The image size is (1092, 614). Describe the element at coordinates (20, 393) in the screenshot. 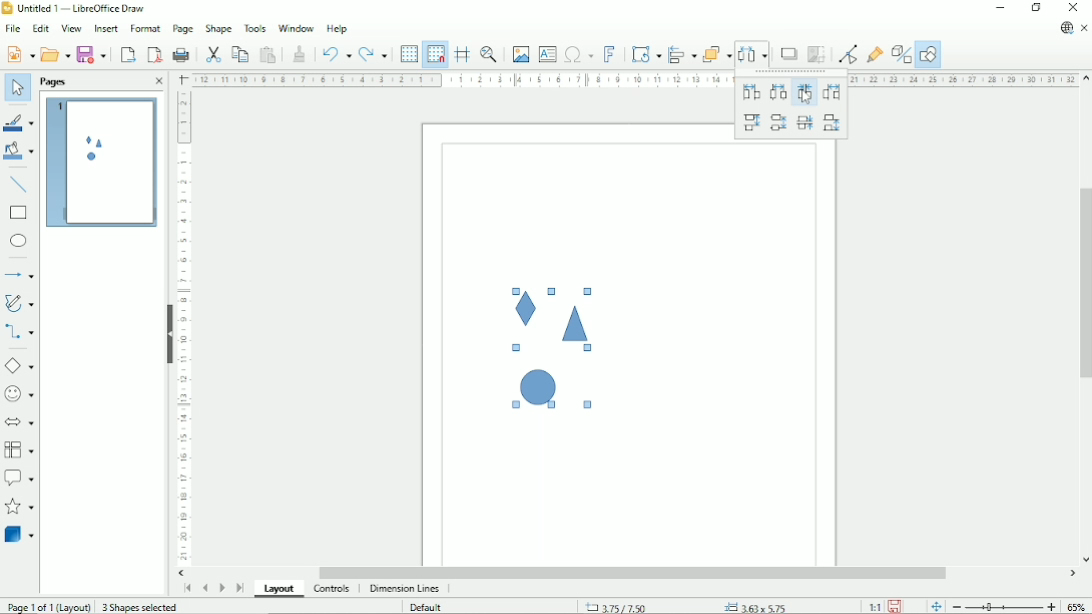

I see `Symbol shapes` at that location.